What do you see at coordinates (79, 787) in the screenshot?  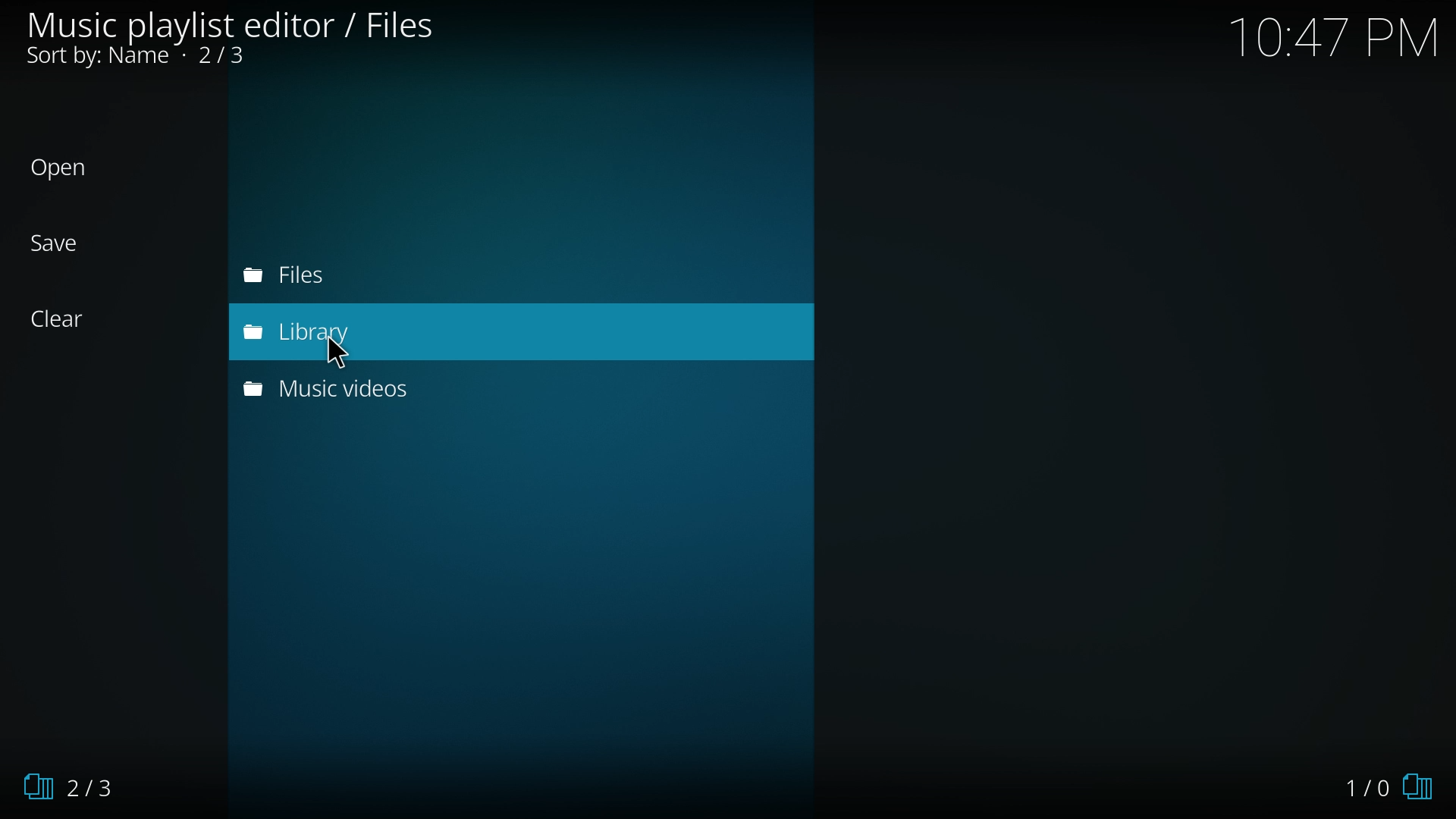 I see `2/3` at bounding box center [79, 787].